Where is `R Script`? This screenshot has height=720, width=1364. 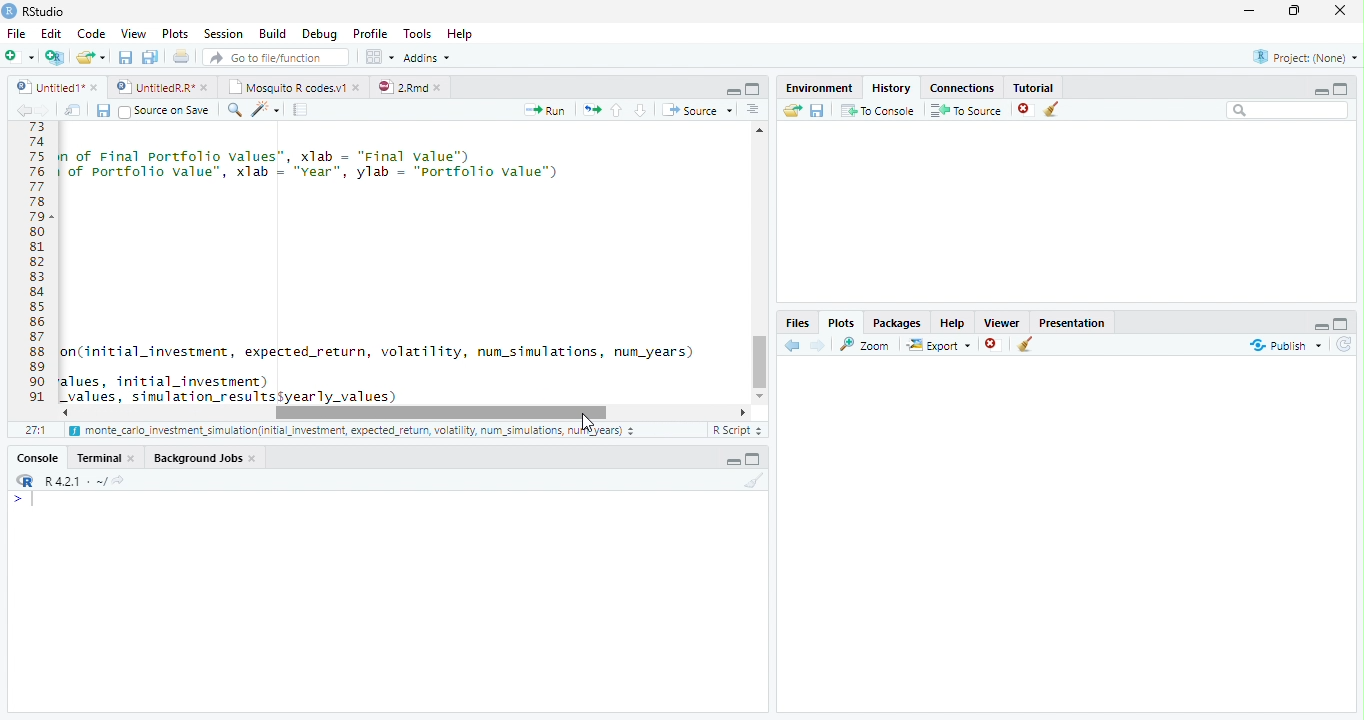 R Script is located at coordinates (737, 430).